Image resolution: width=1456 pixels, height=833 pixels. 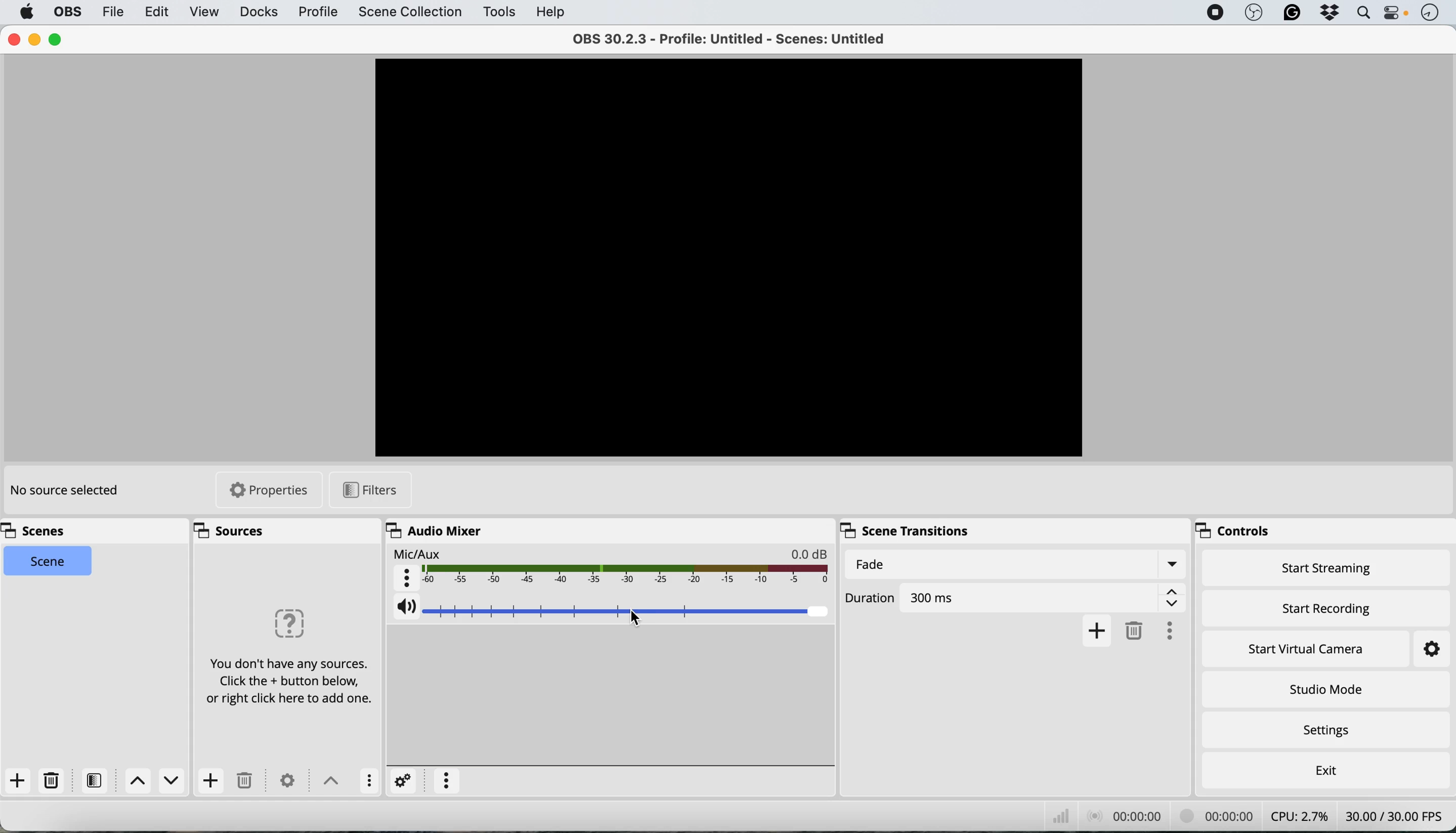 I want to click on studio mode, so click(x=1323, y=689).